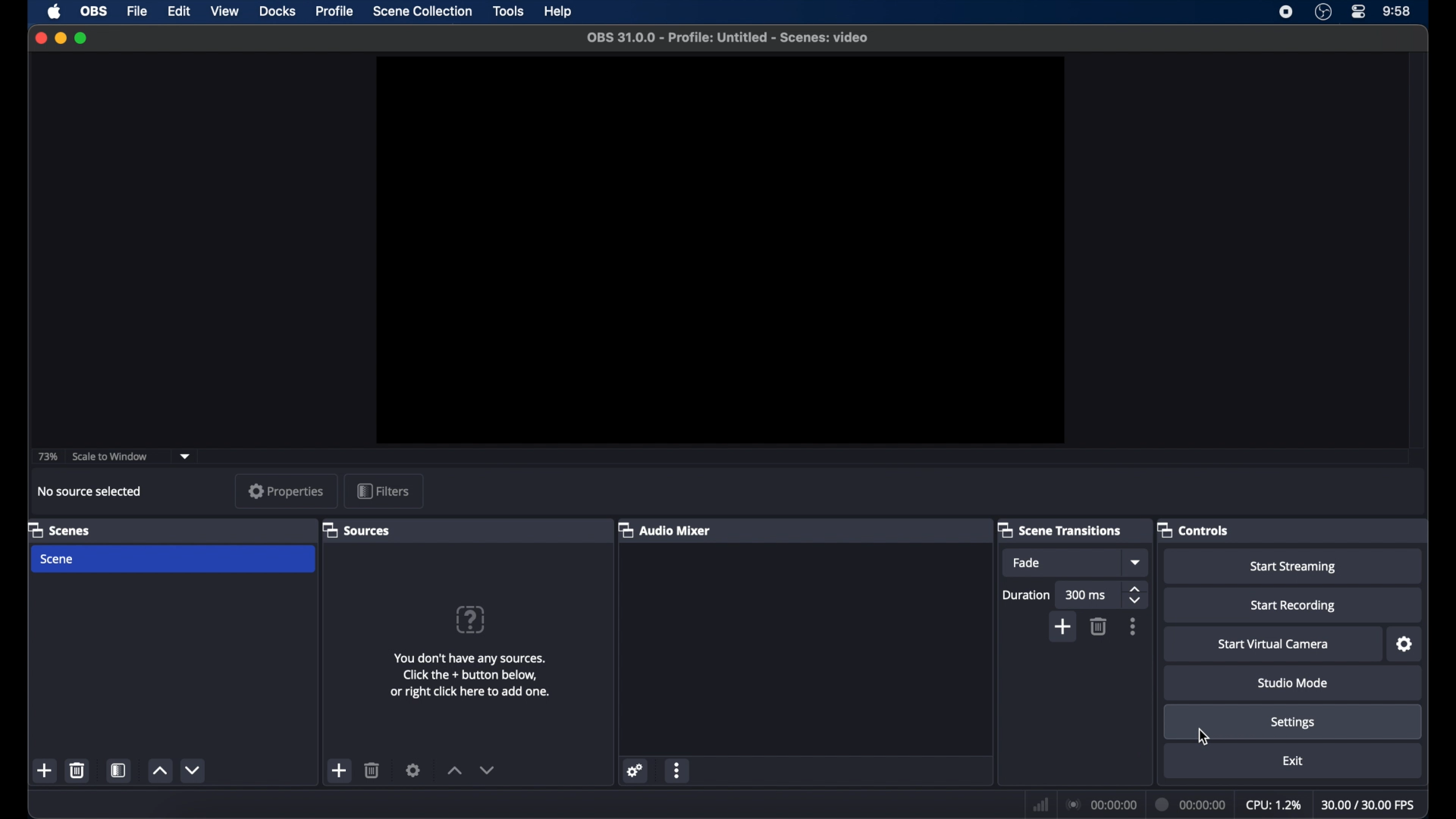 This screenshot has width=1456, height=819. Describe the element at coordinates (472, 675) in the screenshot. I see `add sources information` at that location.